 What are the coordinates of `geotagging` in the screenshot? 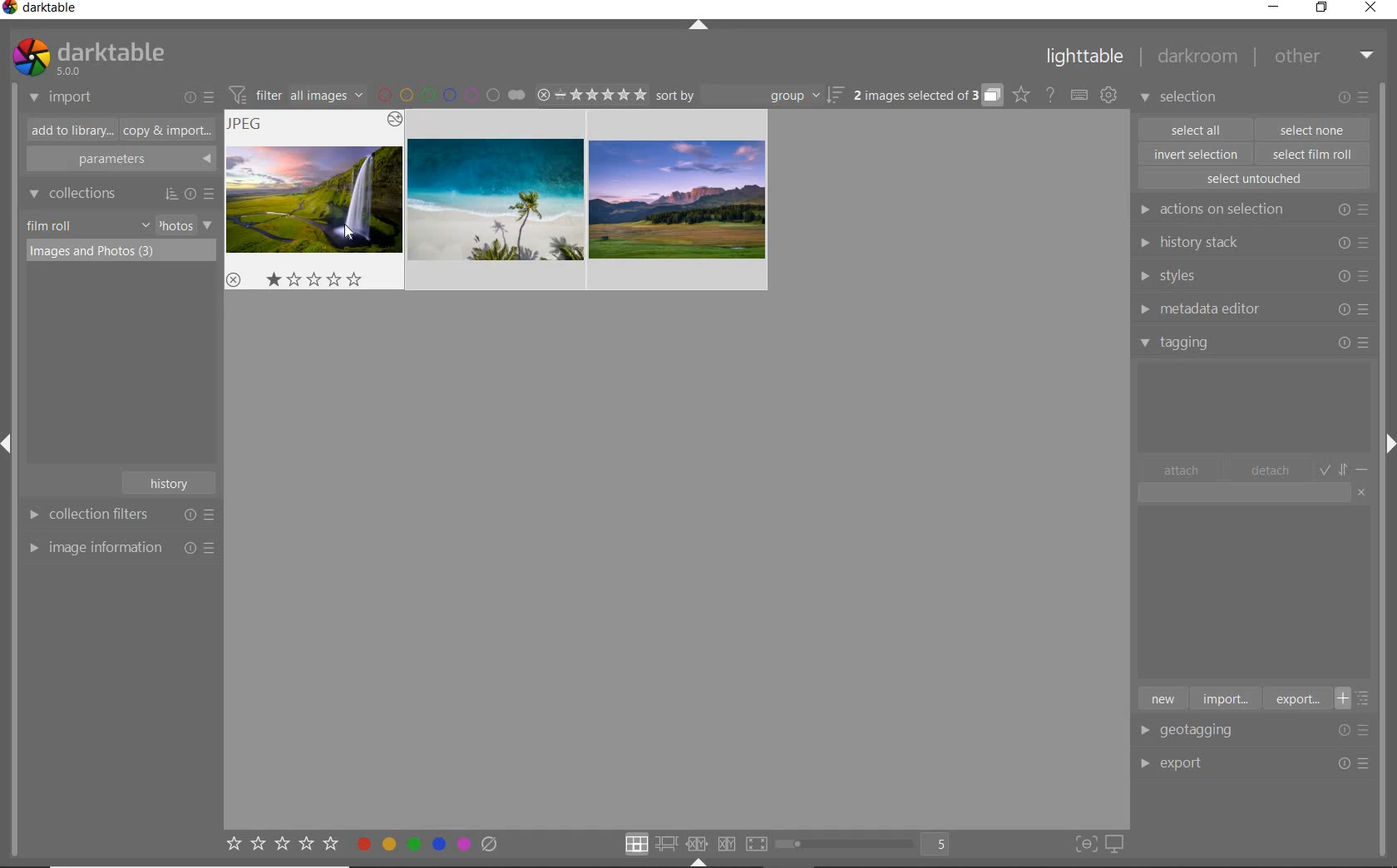 It's located at (1202, 732).